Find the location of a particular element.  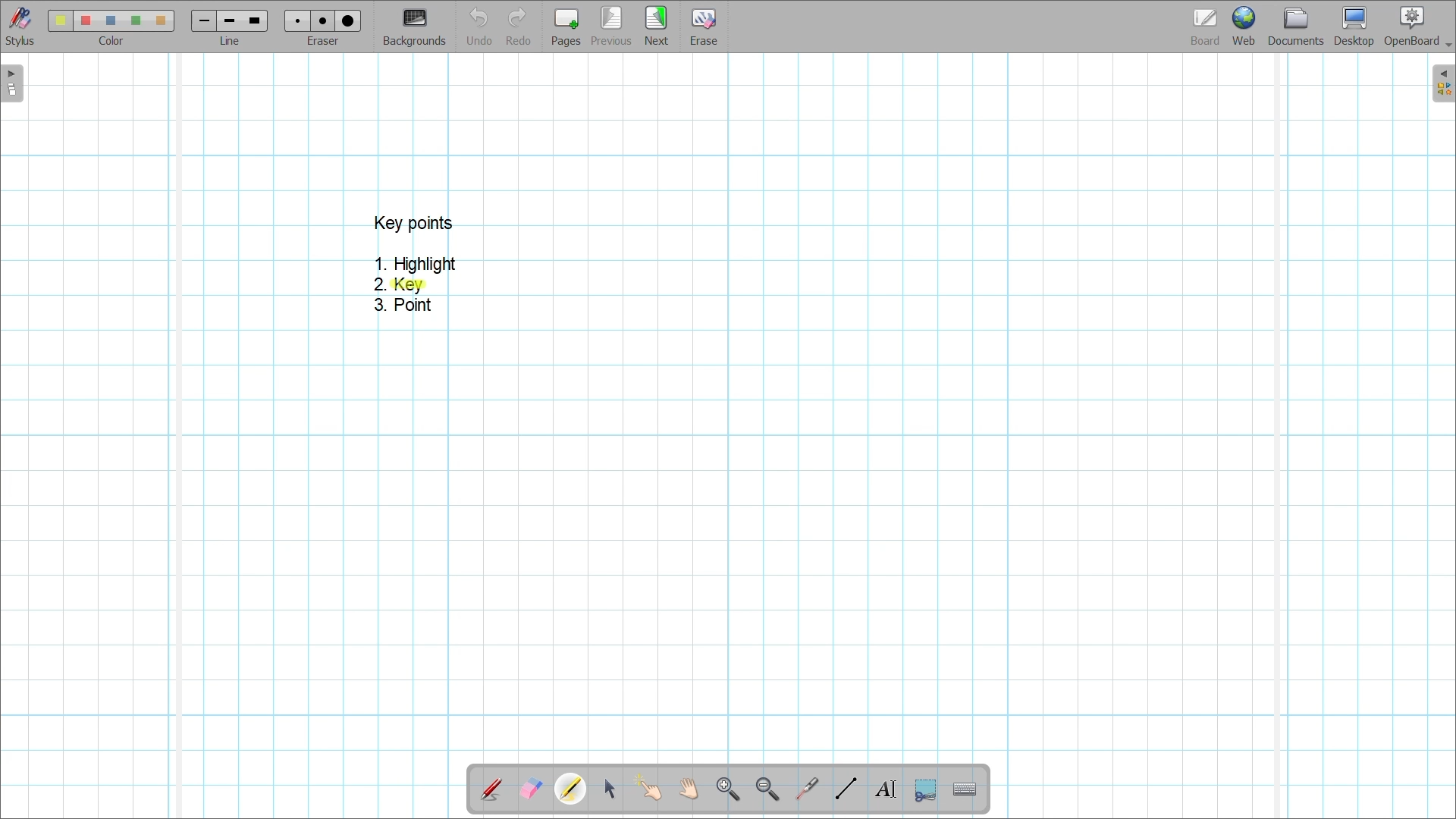

Select and modify objects highlighted is located at coordinates (609, 789).